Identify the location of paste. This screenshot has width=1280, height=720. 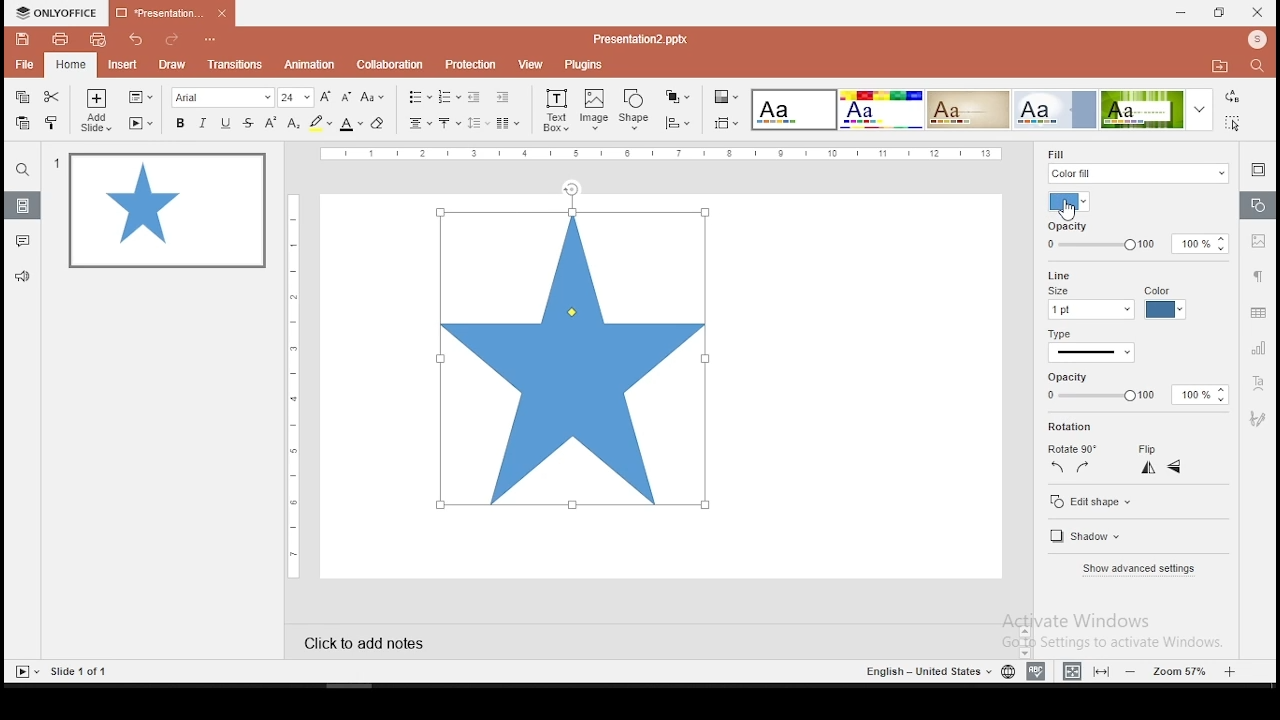
(22, 123).